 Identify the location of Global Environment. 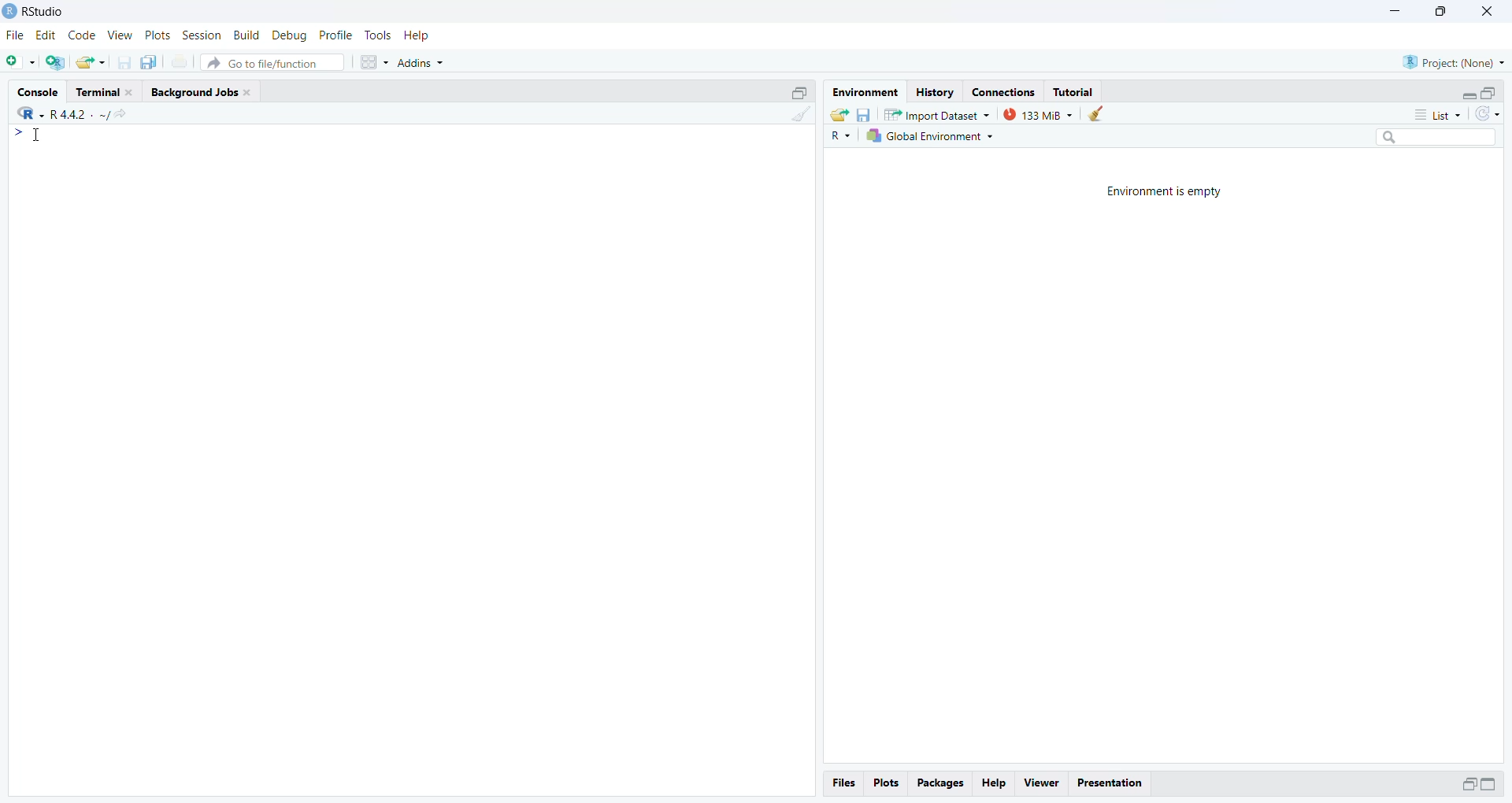
(932, 139).